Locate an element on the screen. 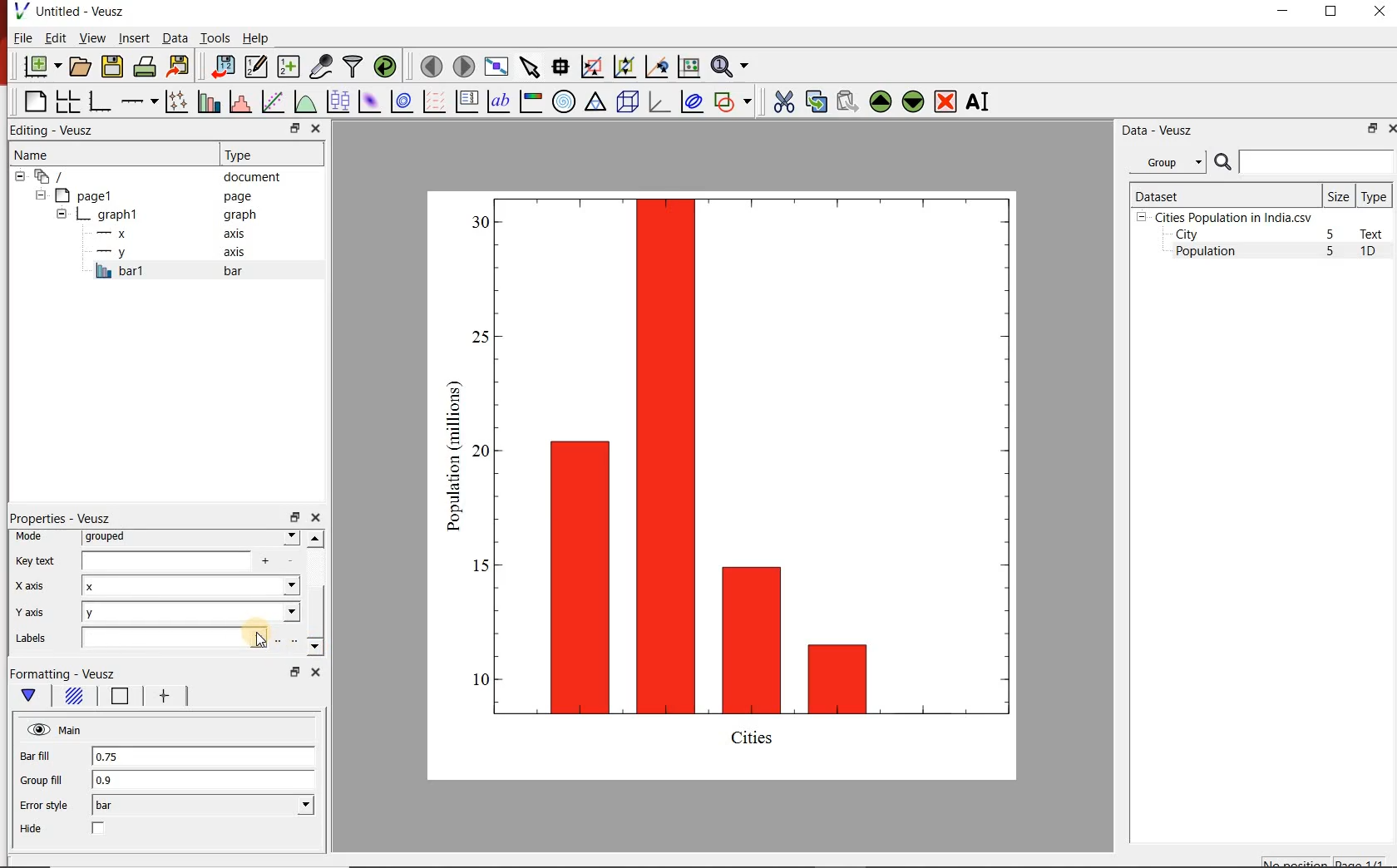  Text is located at coordinates (1375, 234).